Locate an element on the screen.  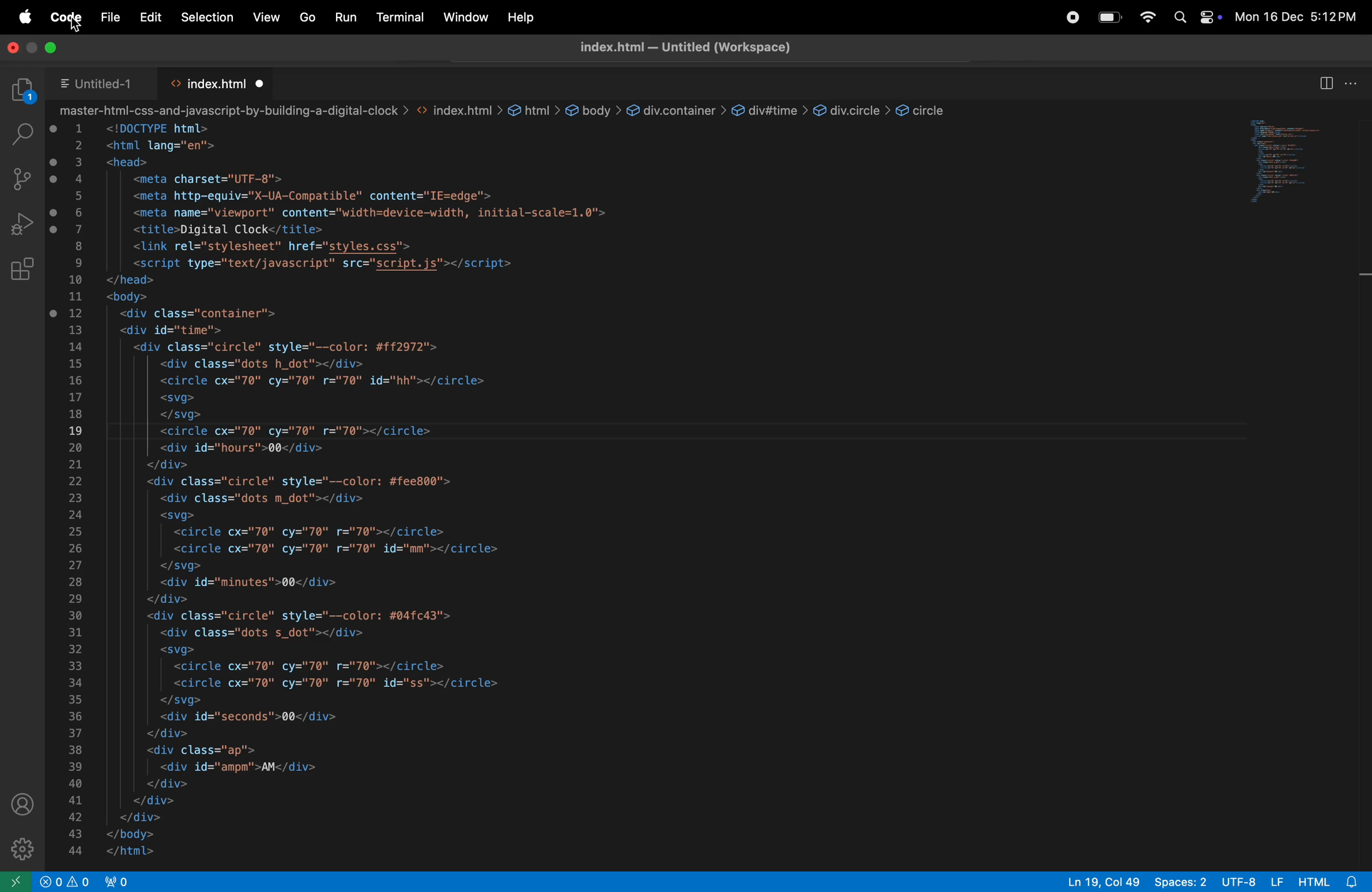
wifi is located at coordinates (1146, 17).